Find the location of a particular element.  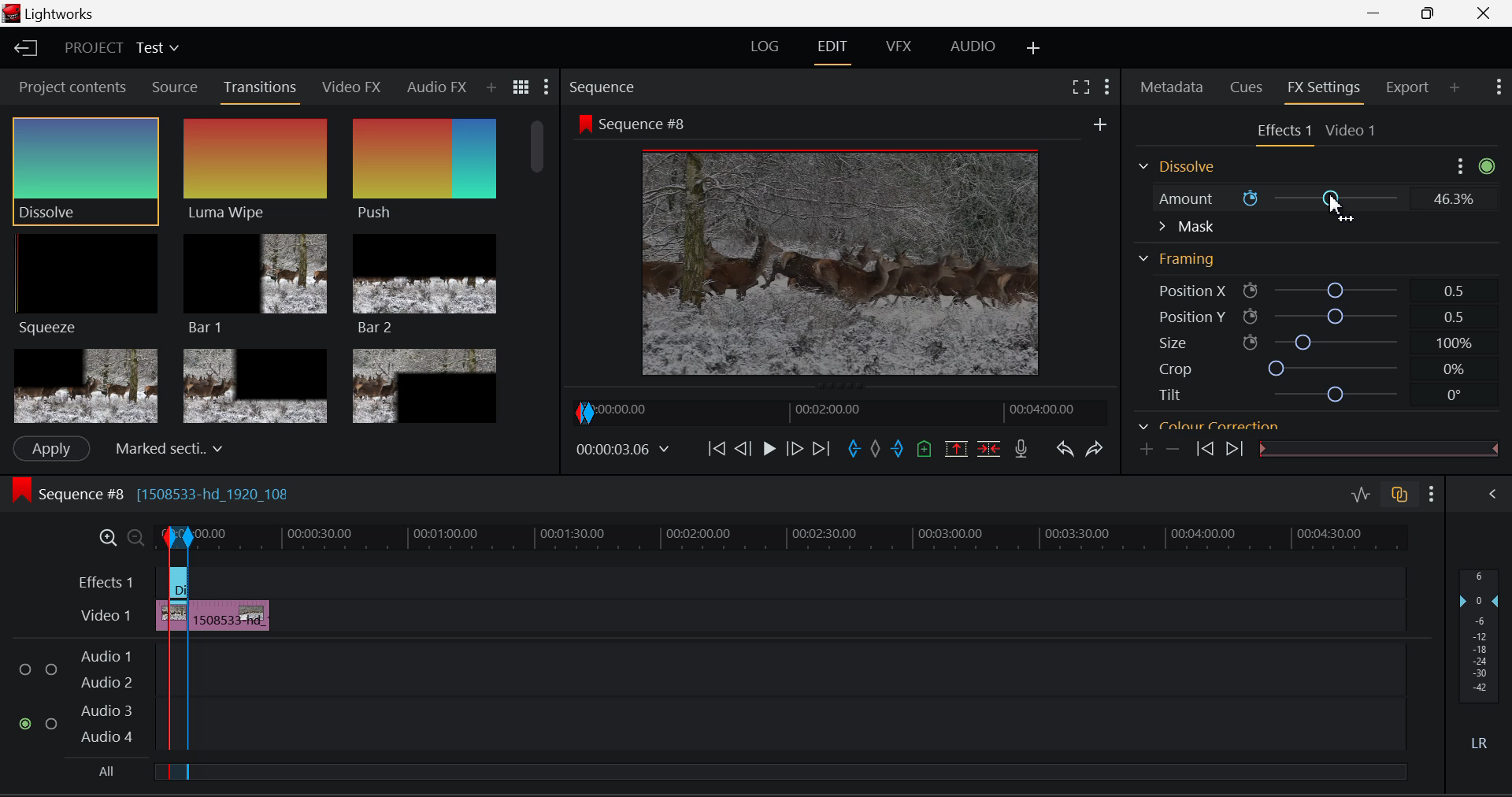

Mask is located at coordinates (1186, 227).